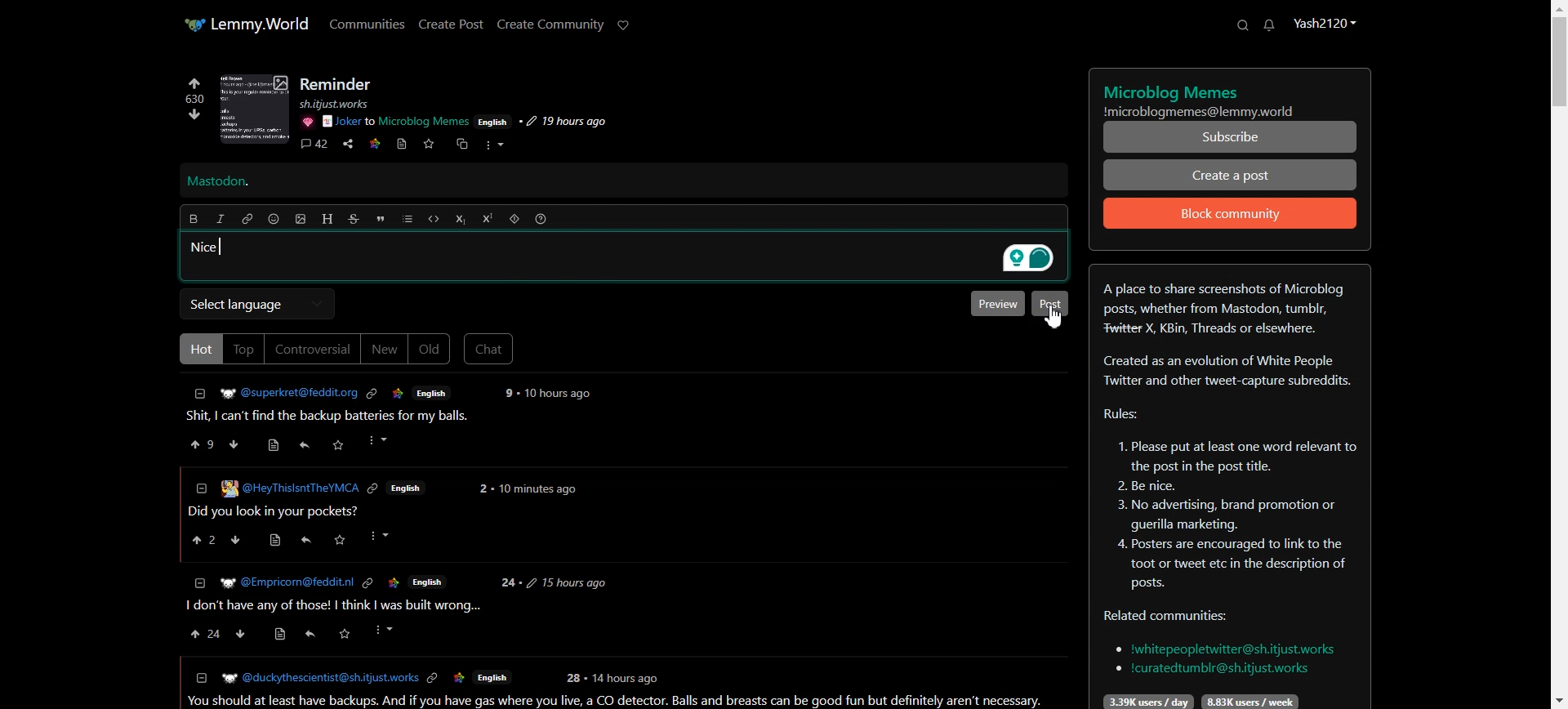  I want to click on Post, so click(335, 417).